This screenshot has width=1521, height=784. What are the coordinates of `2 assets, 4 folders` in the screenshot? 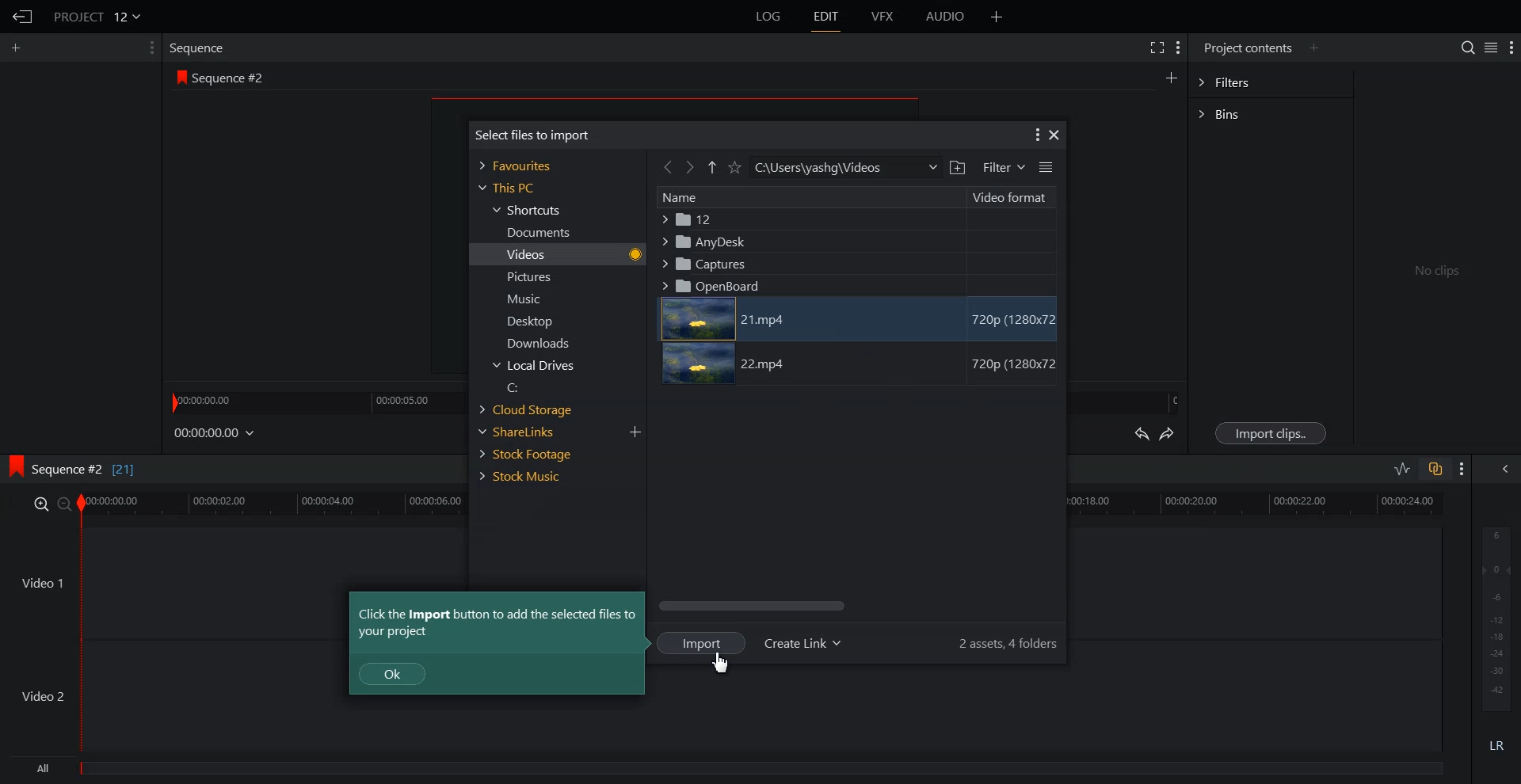 It's located at (1011, 643).